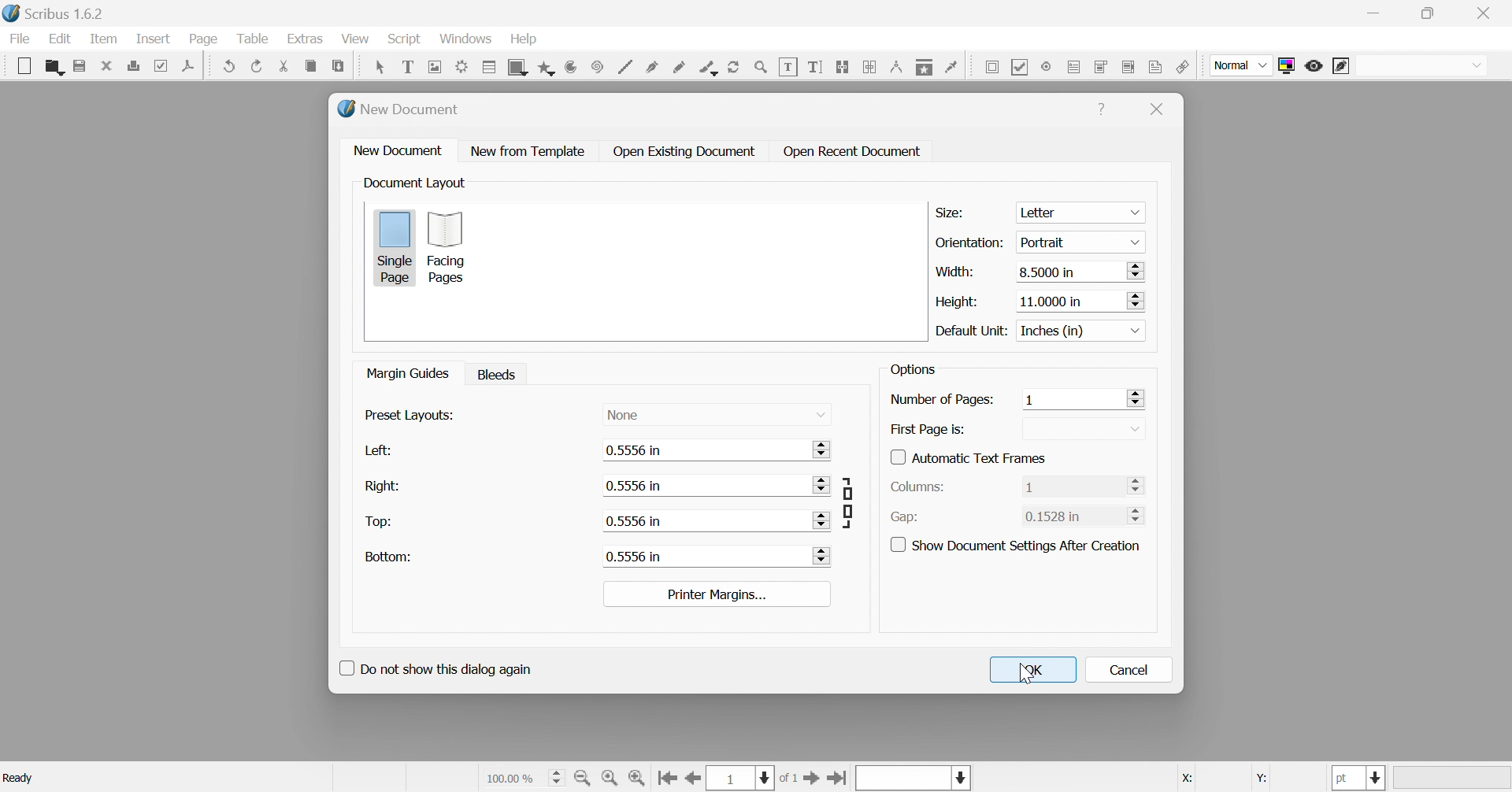 Image resolution: width=1512 pixels, height=792 pixels. Describe the element at coordinates (166, 65) in the screenshot. I see `preflight verifier` at that location.